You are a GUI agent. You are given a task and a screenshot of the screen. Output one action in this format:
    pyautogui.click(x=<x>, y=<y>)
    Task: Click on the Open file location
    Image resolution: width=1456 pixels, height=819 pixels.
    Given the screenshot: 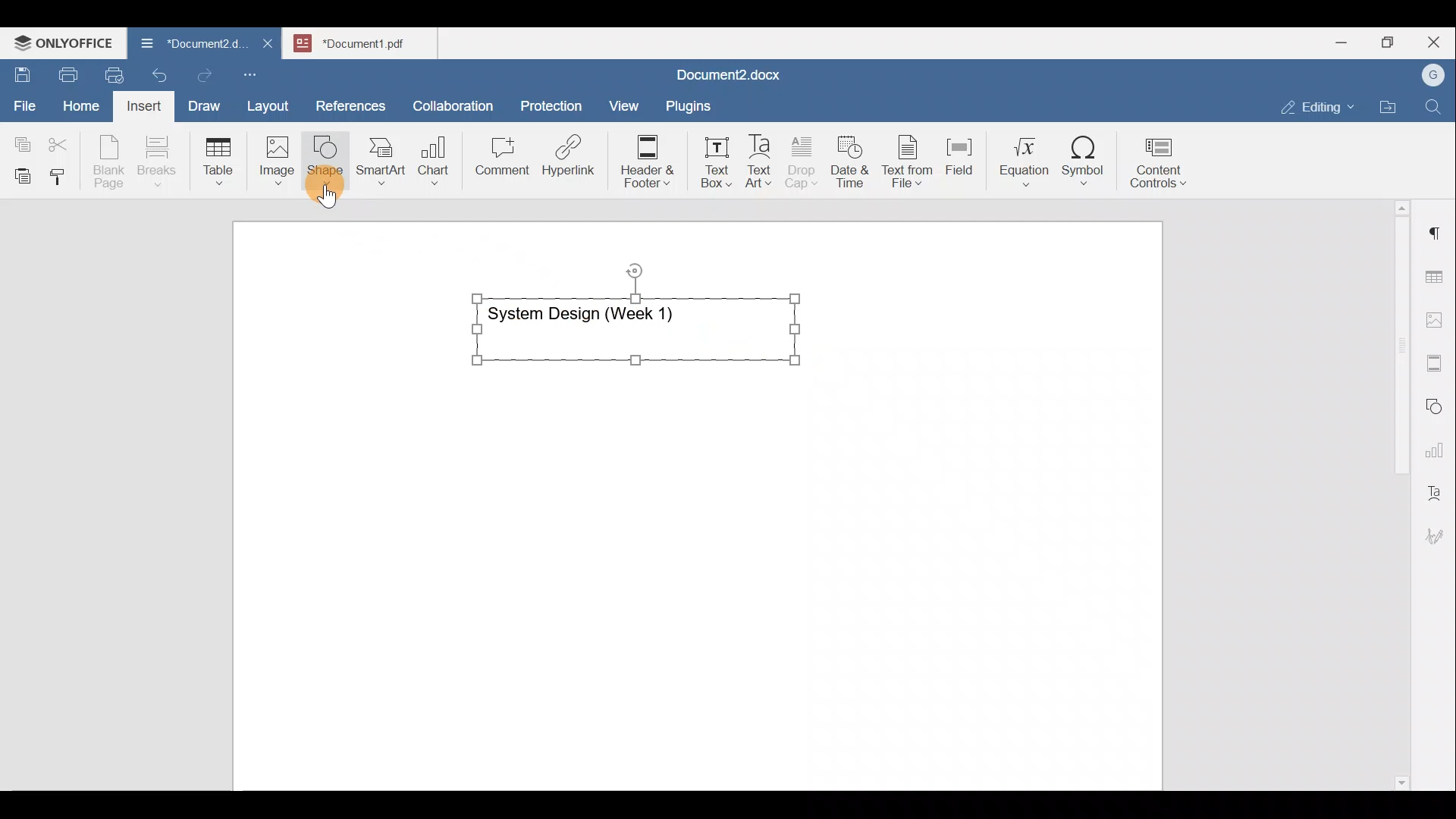 What is the action you would take?
    pyautogui.click(x=1392, y=108)
    